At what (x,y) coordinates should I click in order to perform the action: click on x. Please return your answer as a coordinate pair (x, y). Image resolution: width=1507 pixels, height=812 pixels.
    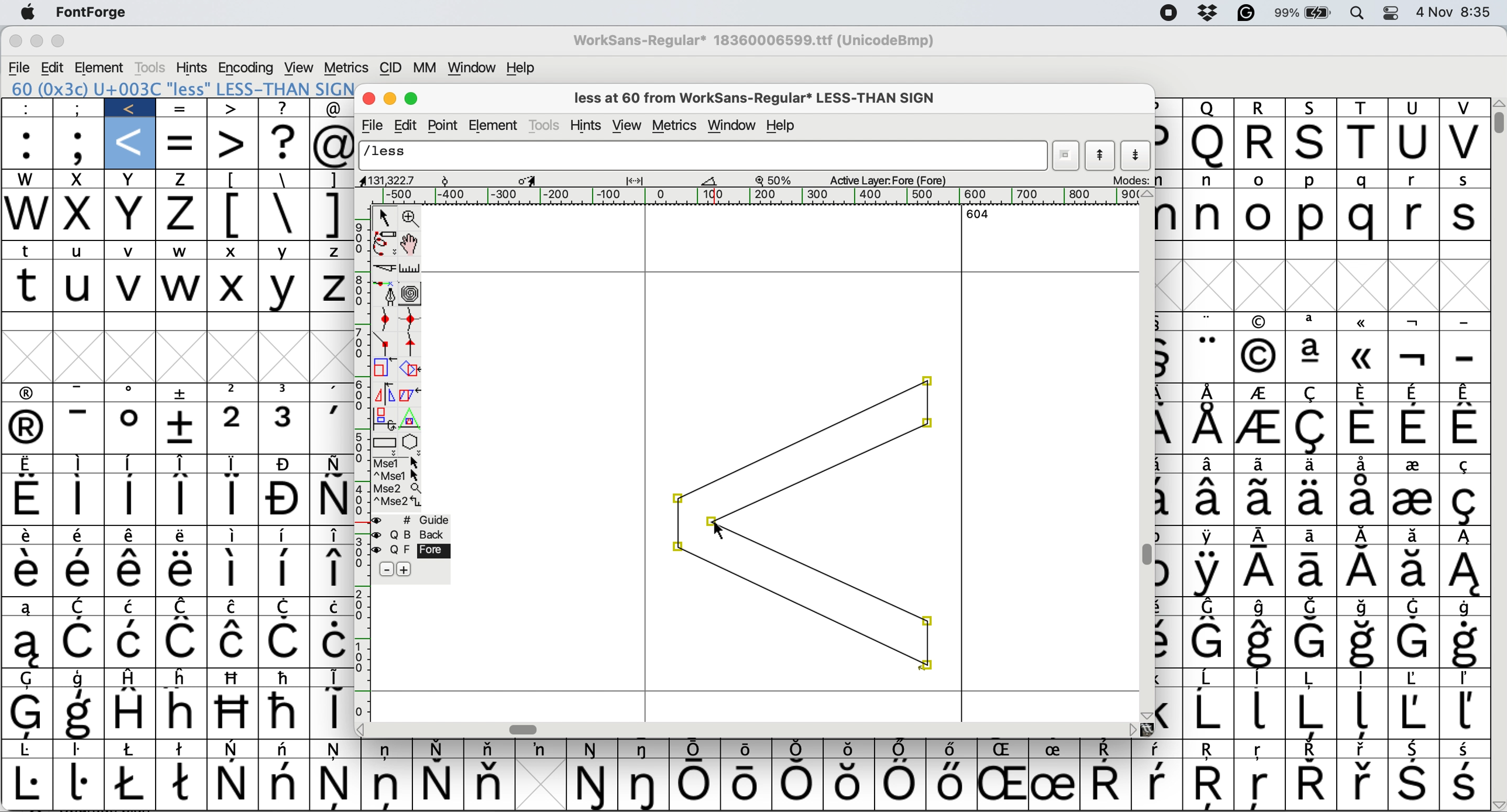
    Looking at the image, I should click on (131, 180).